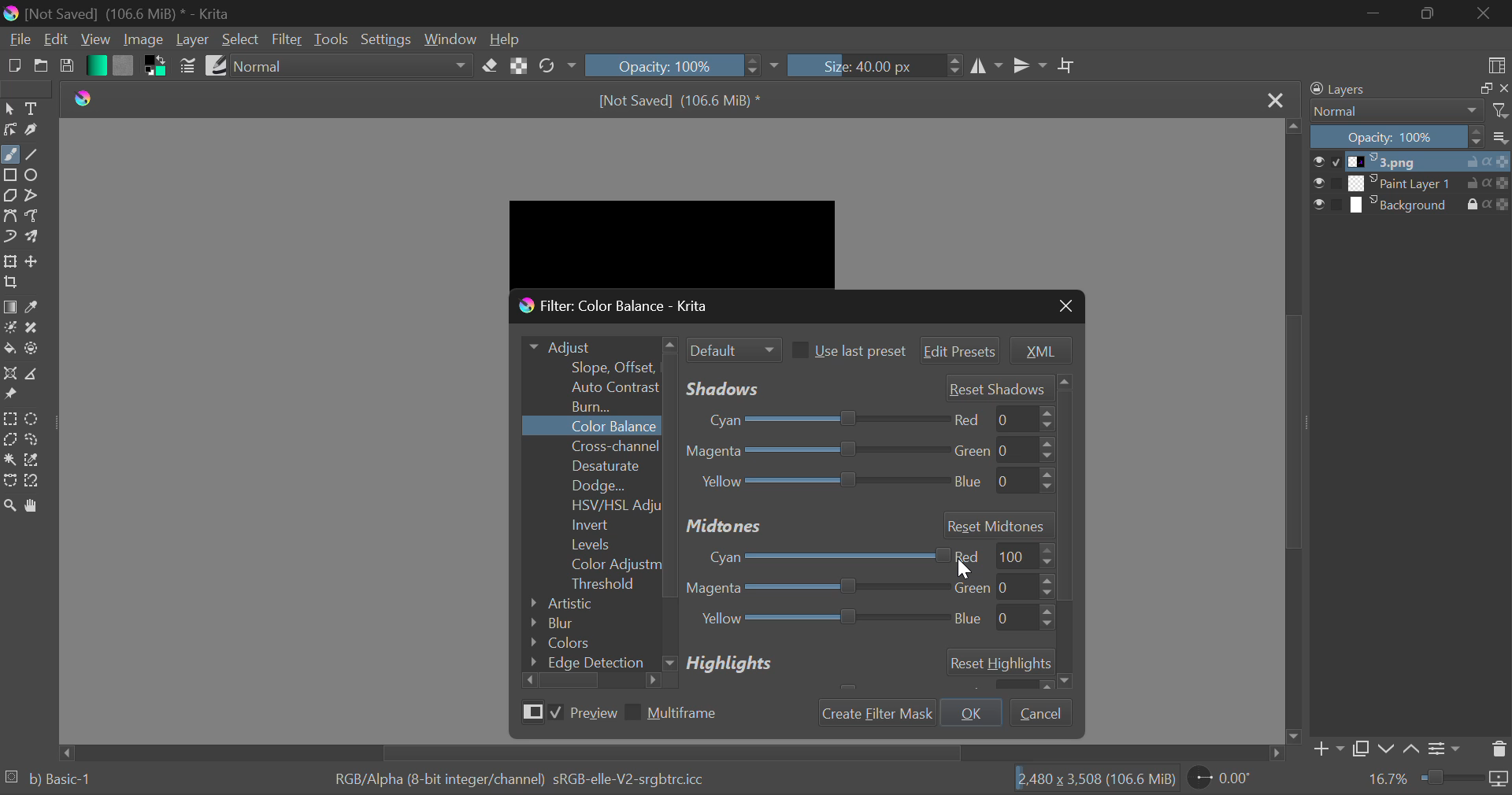 This screenshot has height=795, width=1512. I want to click on Edit, so click(54, 41).